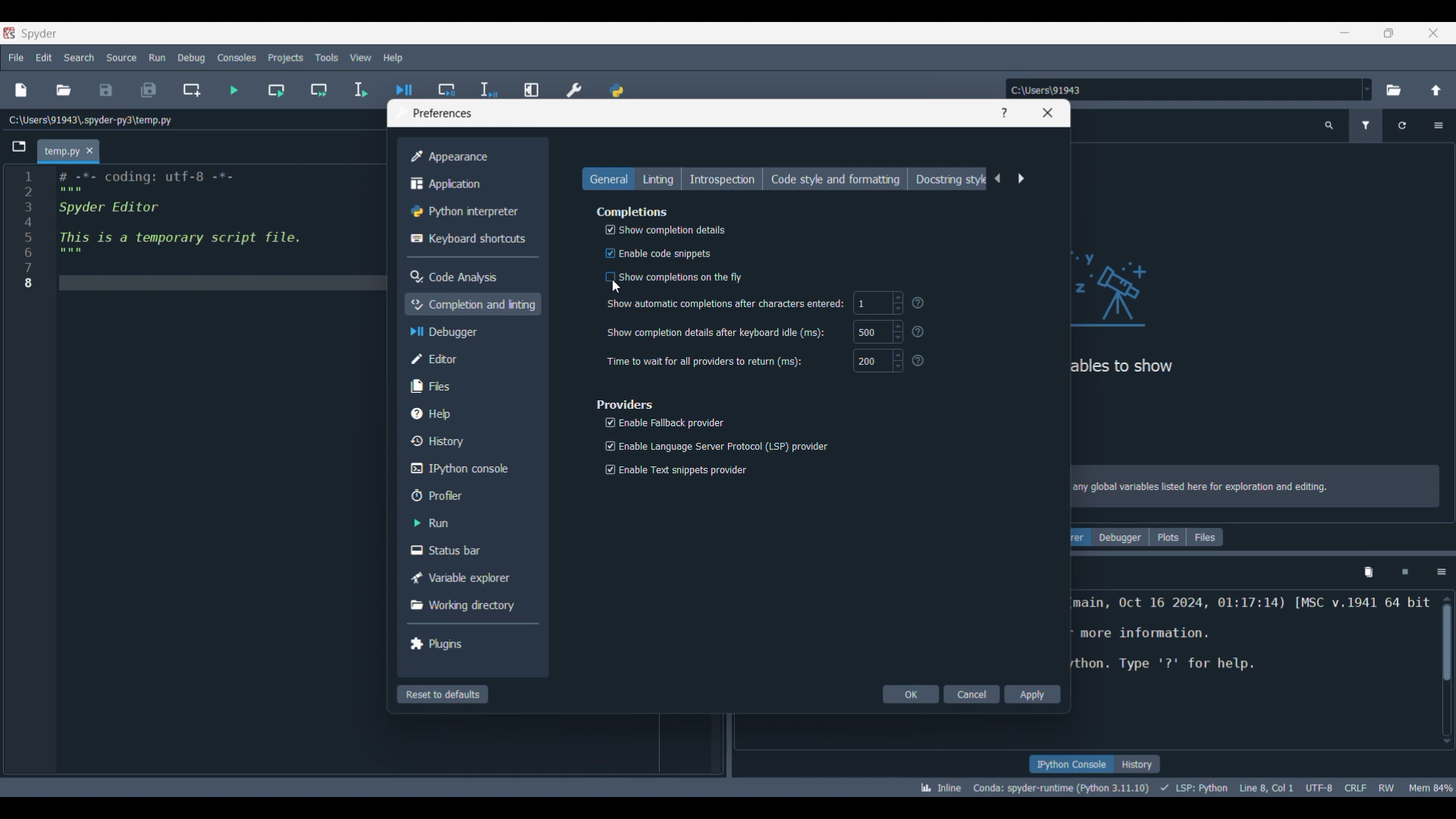  What do you see at coordinates (149, 90) in the screenshot?
I see `Save all files` at bounding box center [149, 90].